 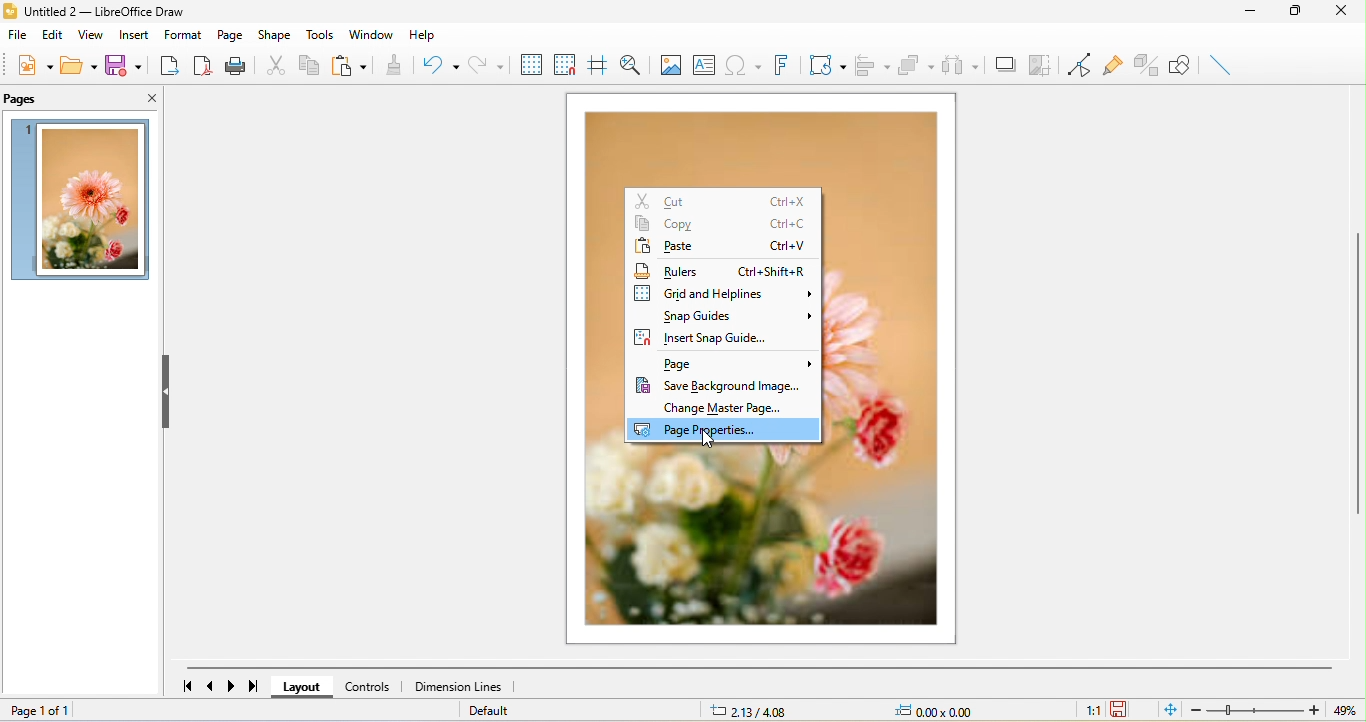 What do you see at coordinates (1092, 712) in the screenshot?
I see `1:1` at bounding box center [1092, 712].